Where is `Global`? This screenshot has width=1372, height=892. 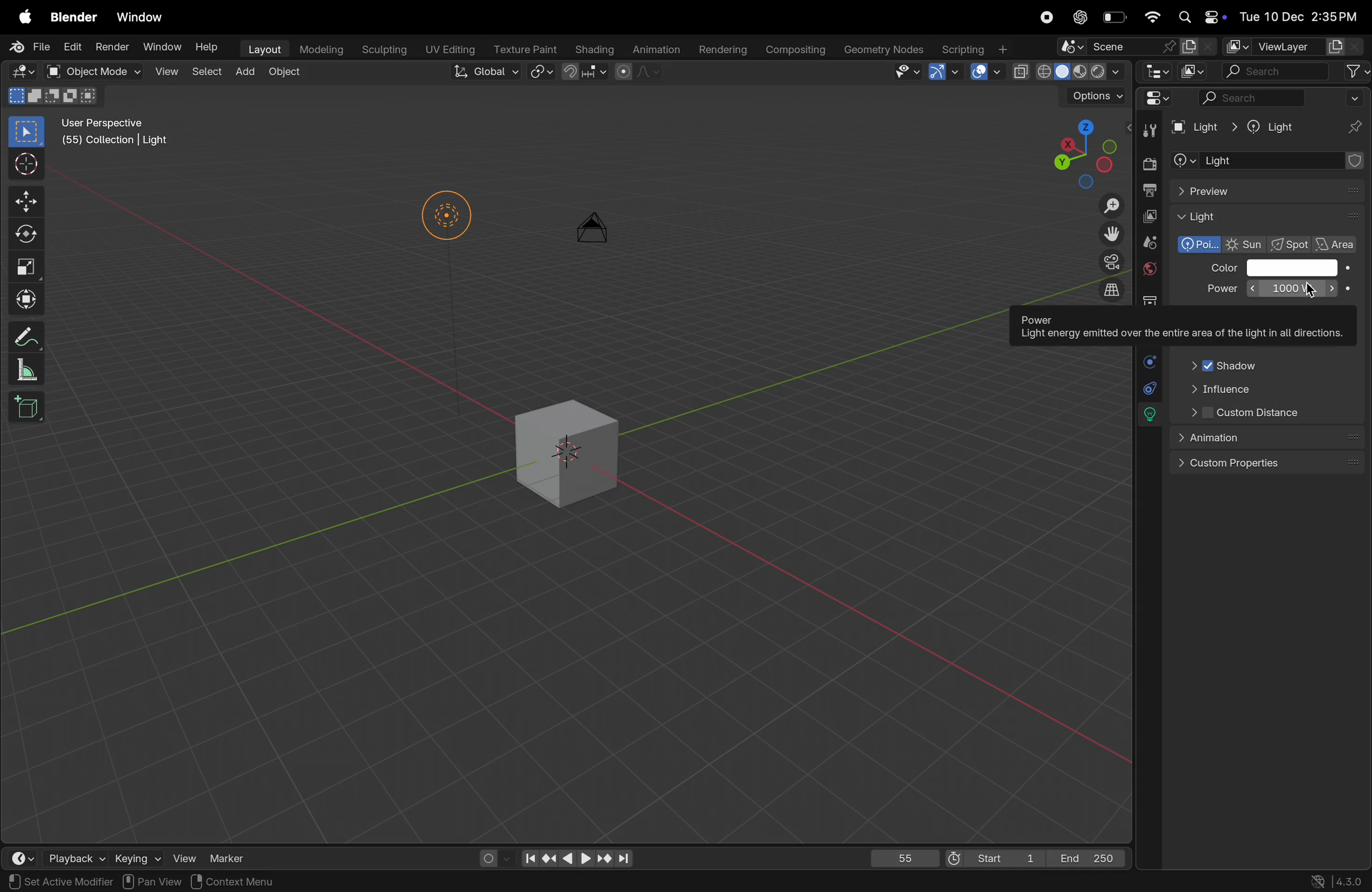 Global is located at coordinates (485, 74).